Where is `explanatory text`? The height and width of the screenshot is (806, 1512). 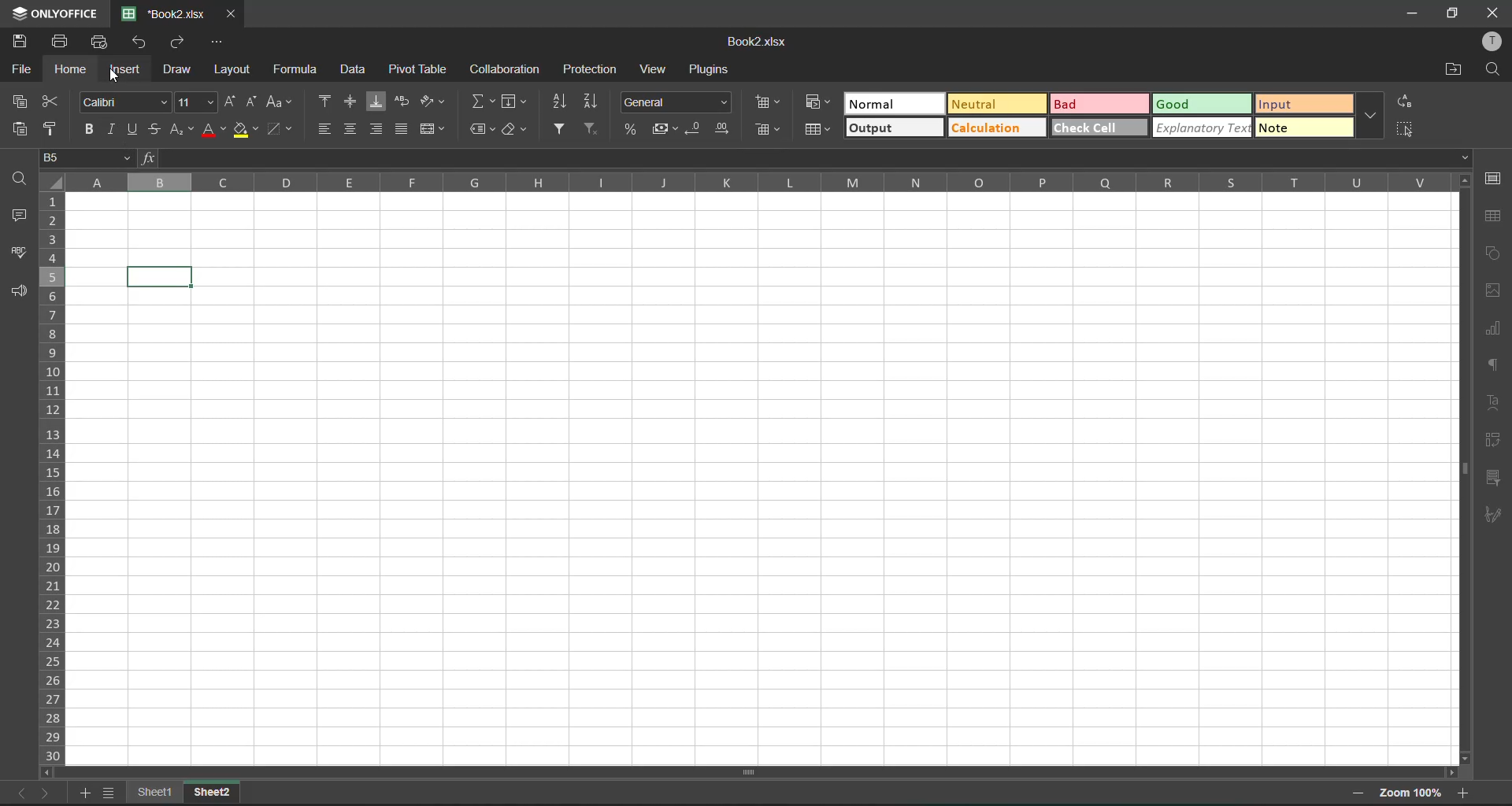 explanatory text is located at coordinates (1200, 128).